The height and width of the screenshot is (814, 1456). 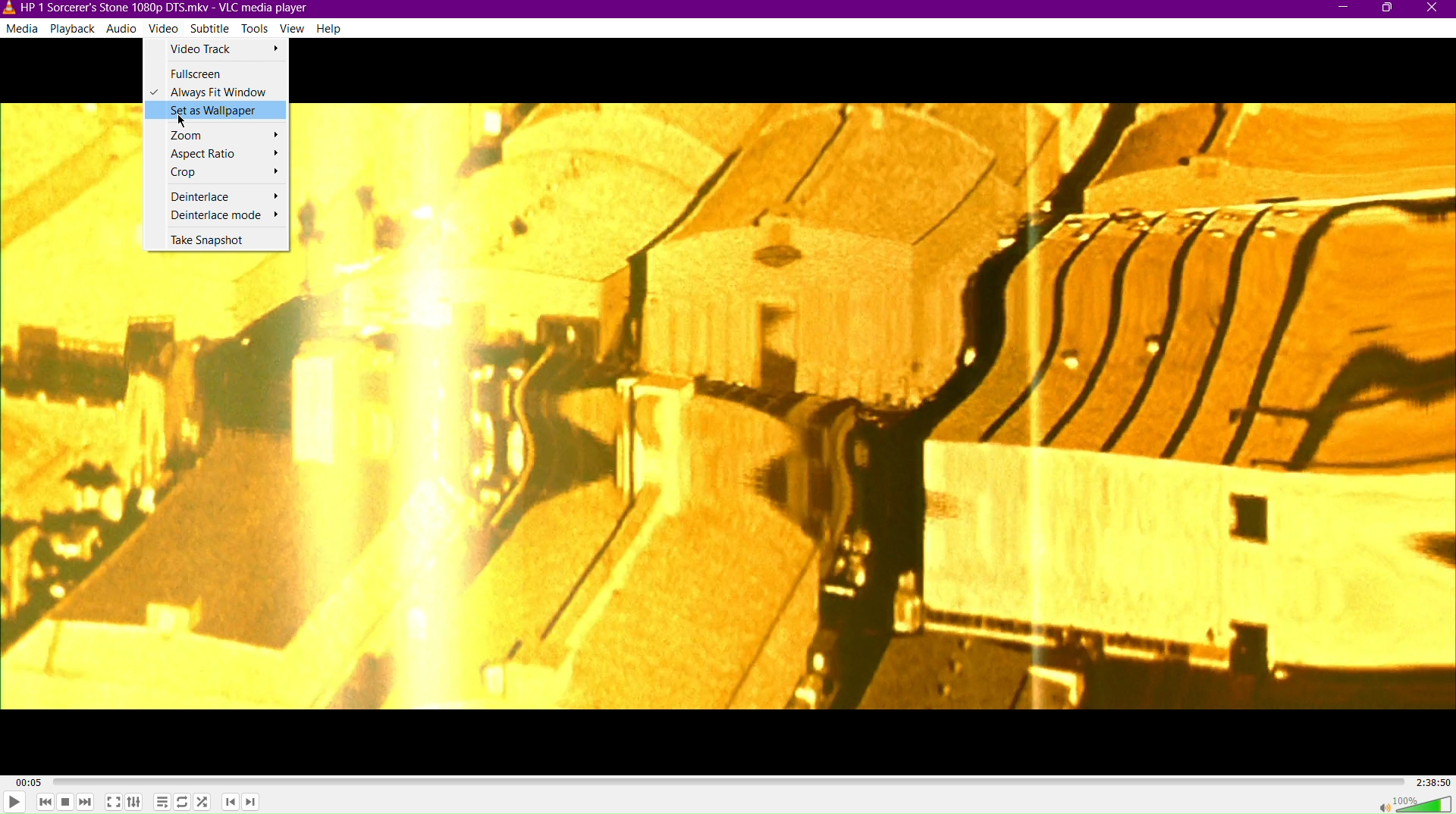 What do you see at coordinates (212, 29) in the screenshot?
I see `Subtitle` at bounding box center [212, 29].